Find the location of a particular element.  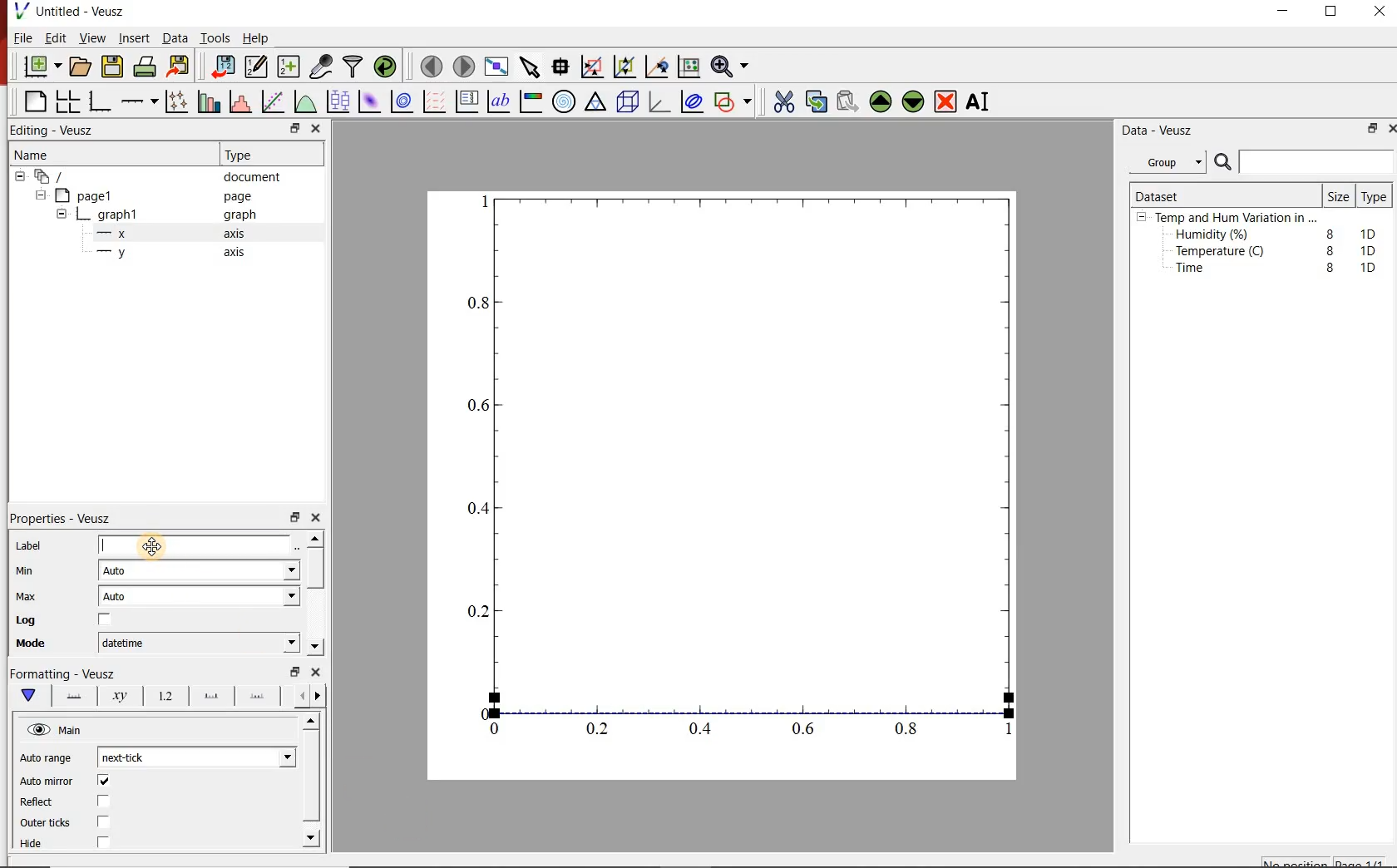

Max dropdown is located at coordinates (274, 599).